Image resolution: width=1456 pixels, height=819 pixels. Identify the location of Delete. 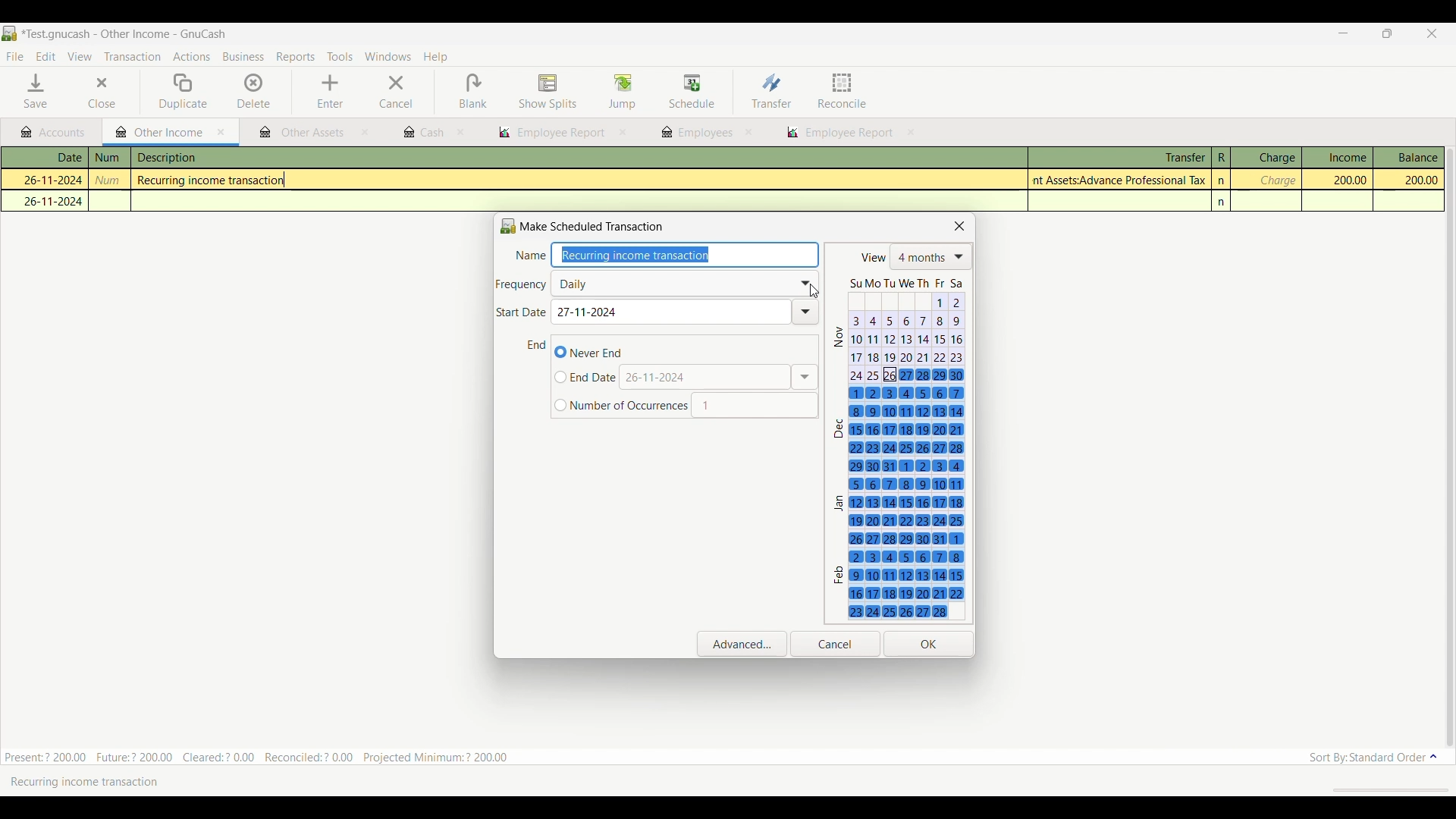
(254, 90).